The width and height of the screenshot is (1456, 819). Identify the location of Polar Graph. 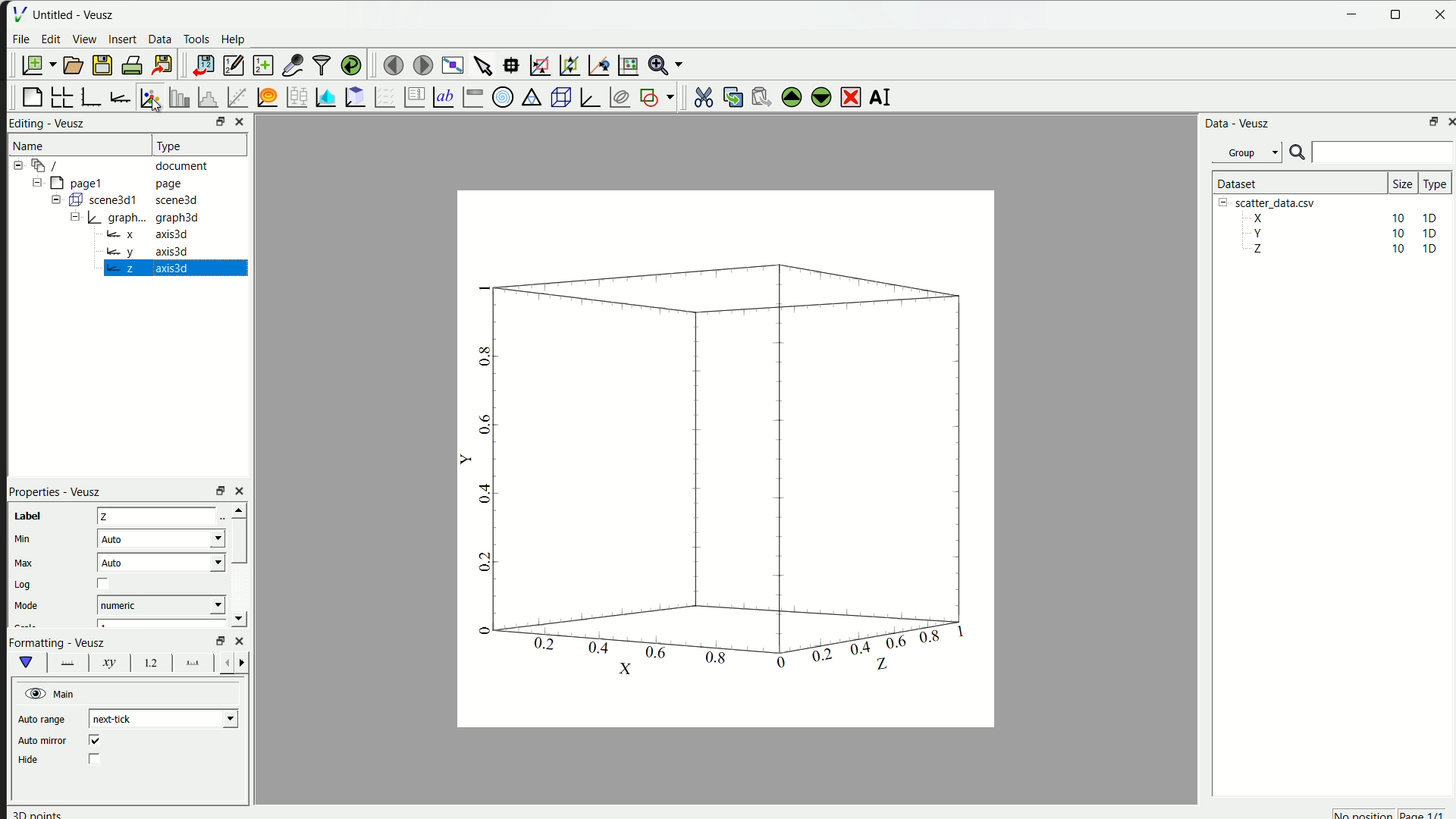
(501, 97).